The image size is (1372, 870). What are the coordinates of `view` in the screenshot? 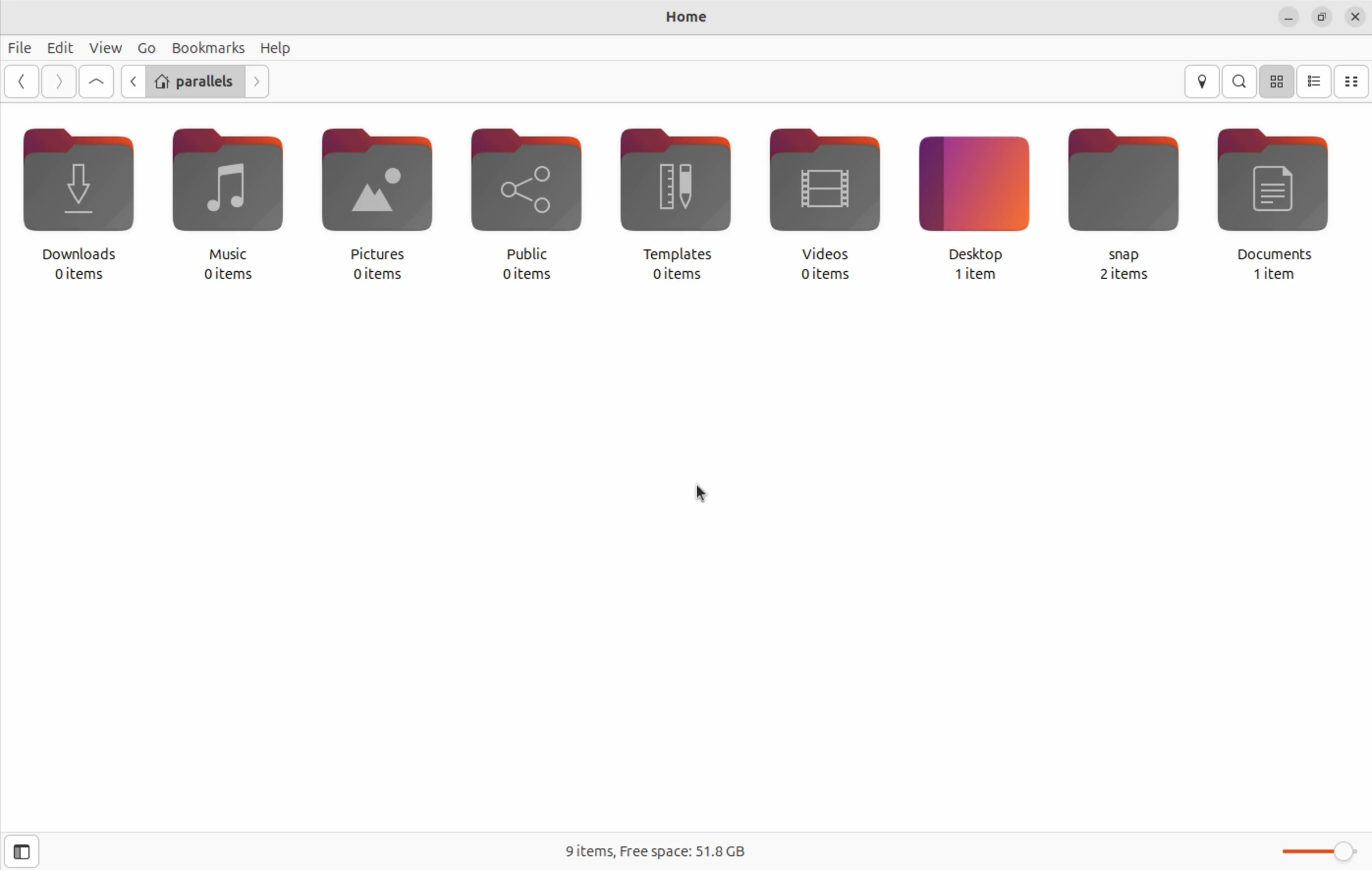 It's located at (104, 47).